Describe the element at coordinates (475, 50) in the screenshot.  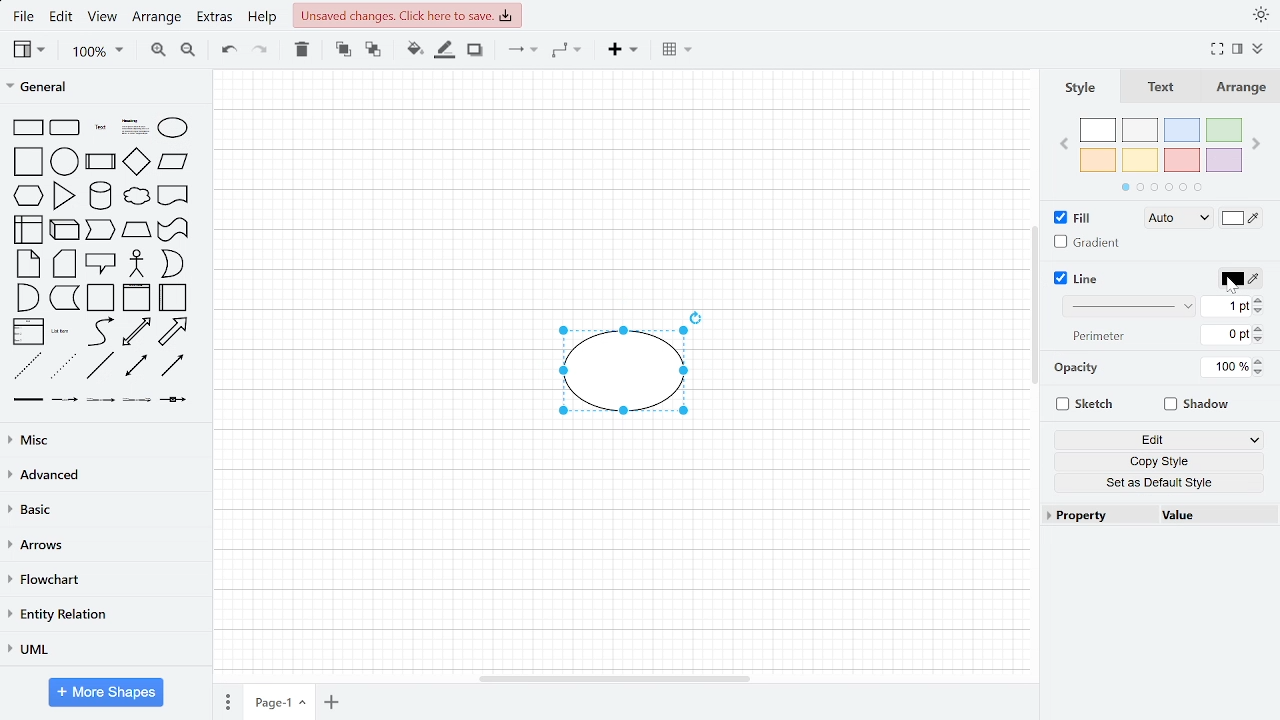
I see `shadow` at that location.